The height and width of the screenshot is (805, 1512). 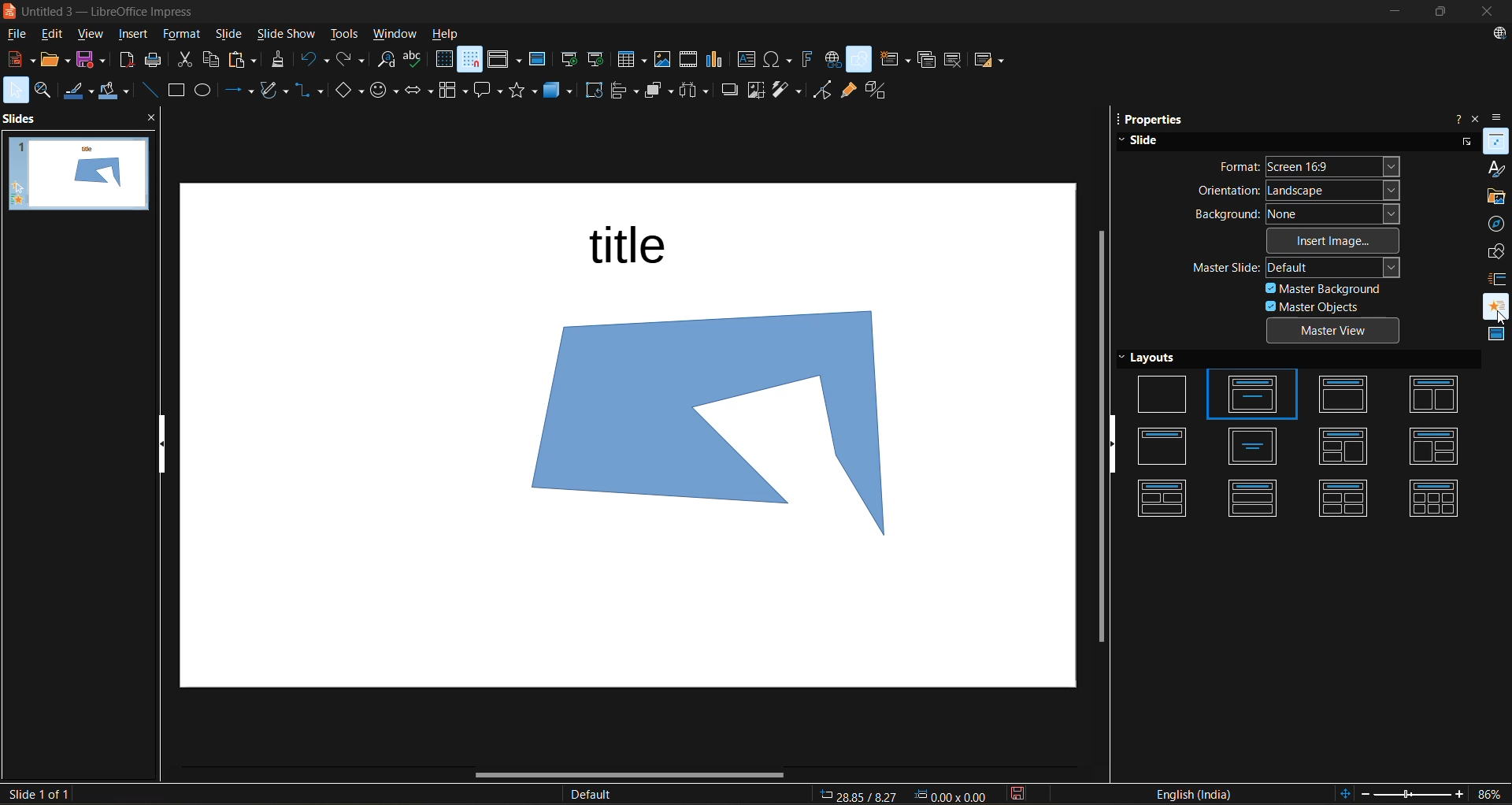 I want to click on window, so click(x=395, y=35).